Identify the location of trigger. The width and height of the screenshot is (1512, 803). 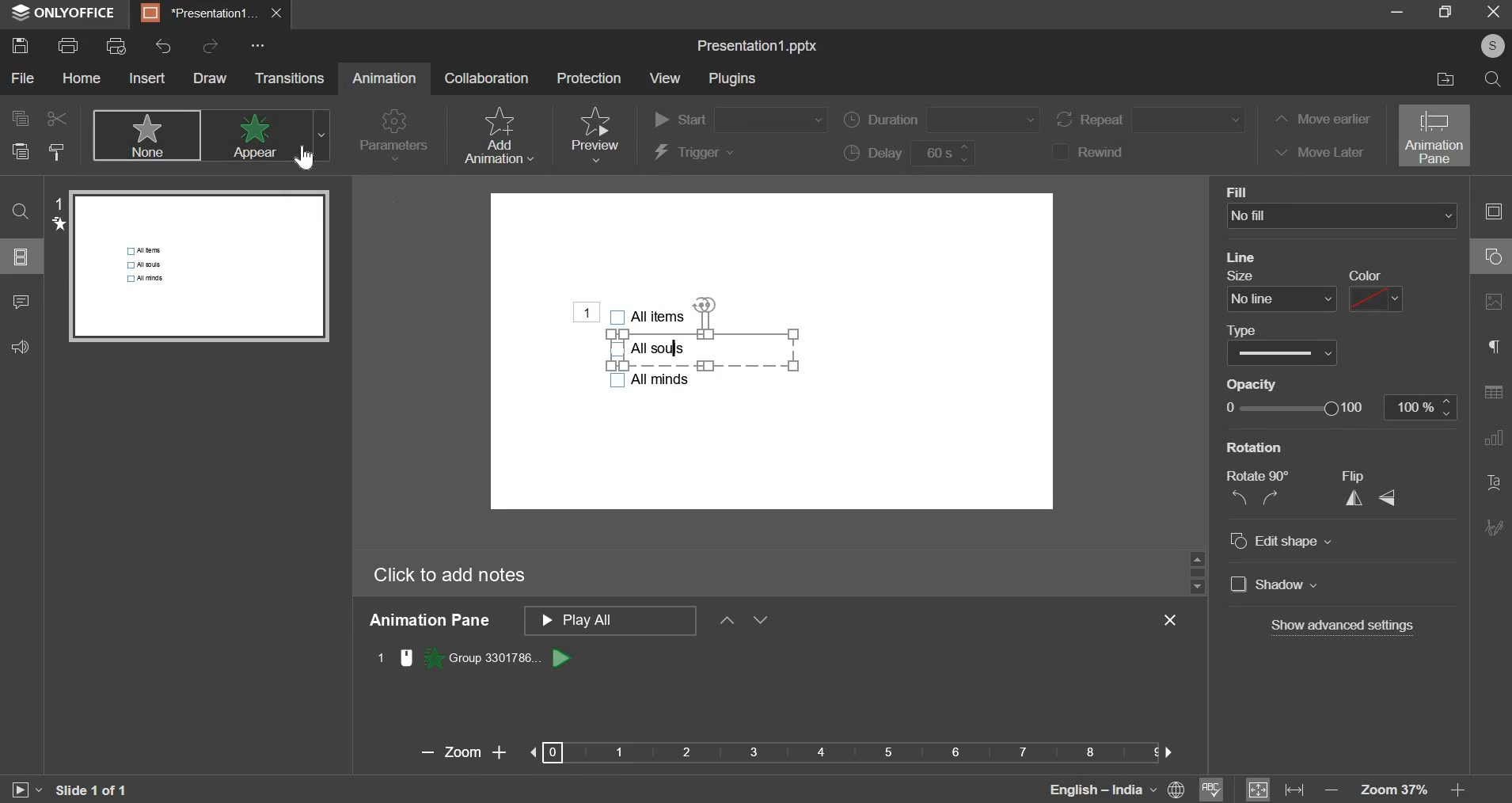
(695, 154).